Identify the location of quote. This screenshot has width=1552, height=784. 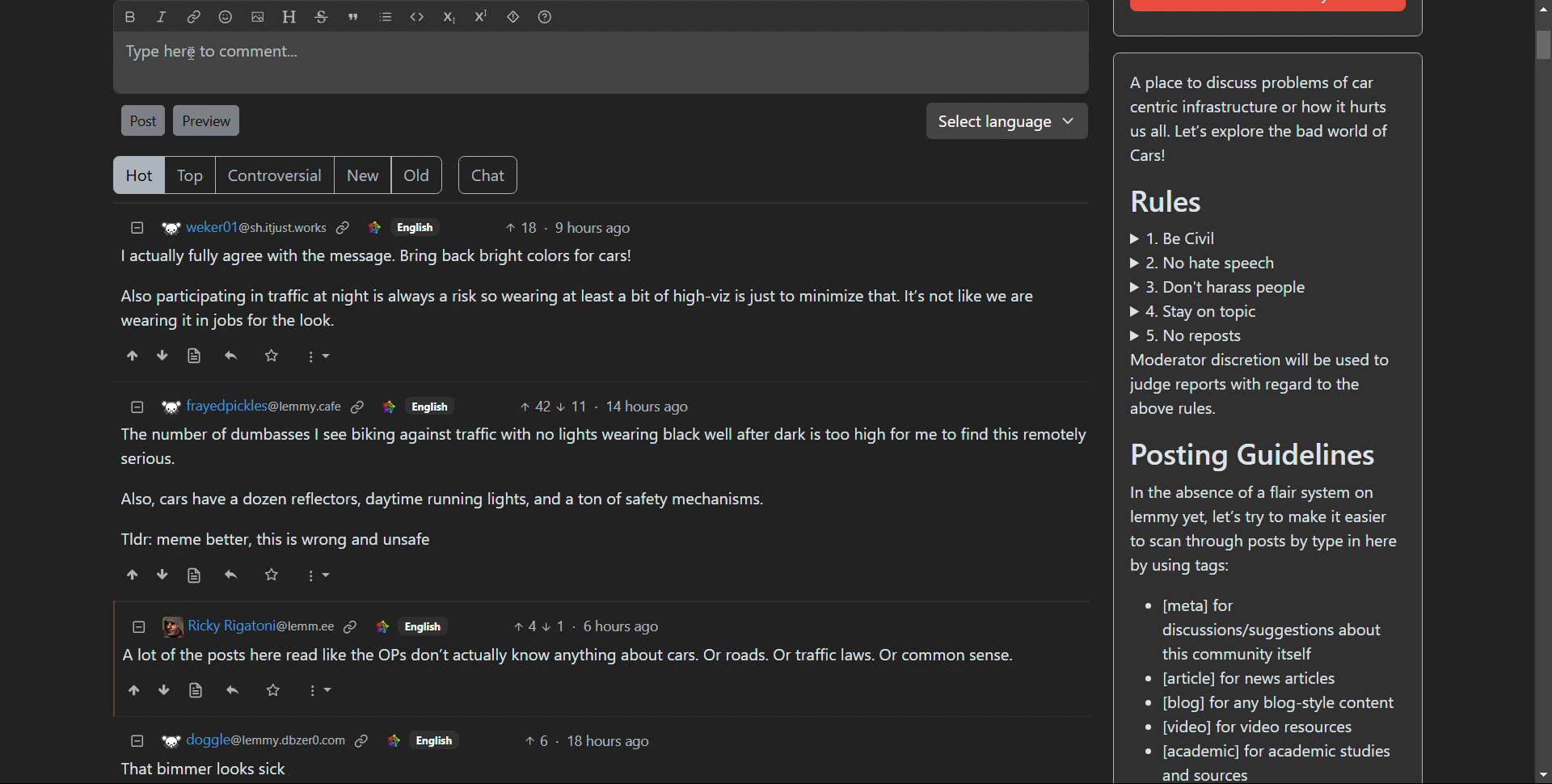
(354, 17).